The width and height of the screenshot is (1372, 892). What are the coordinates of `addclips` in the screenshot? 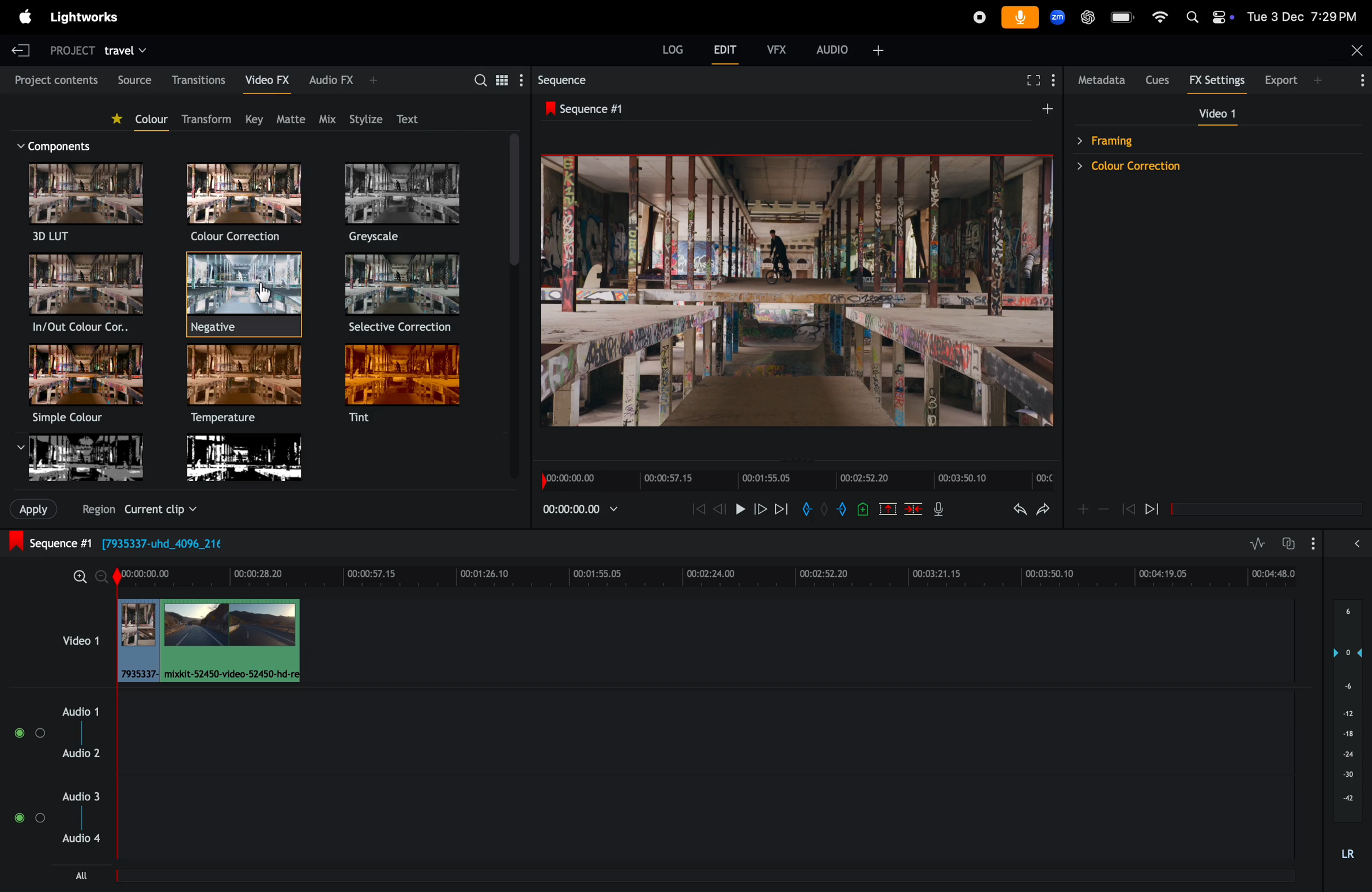 It's located at (207, 641).